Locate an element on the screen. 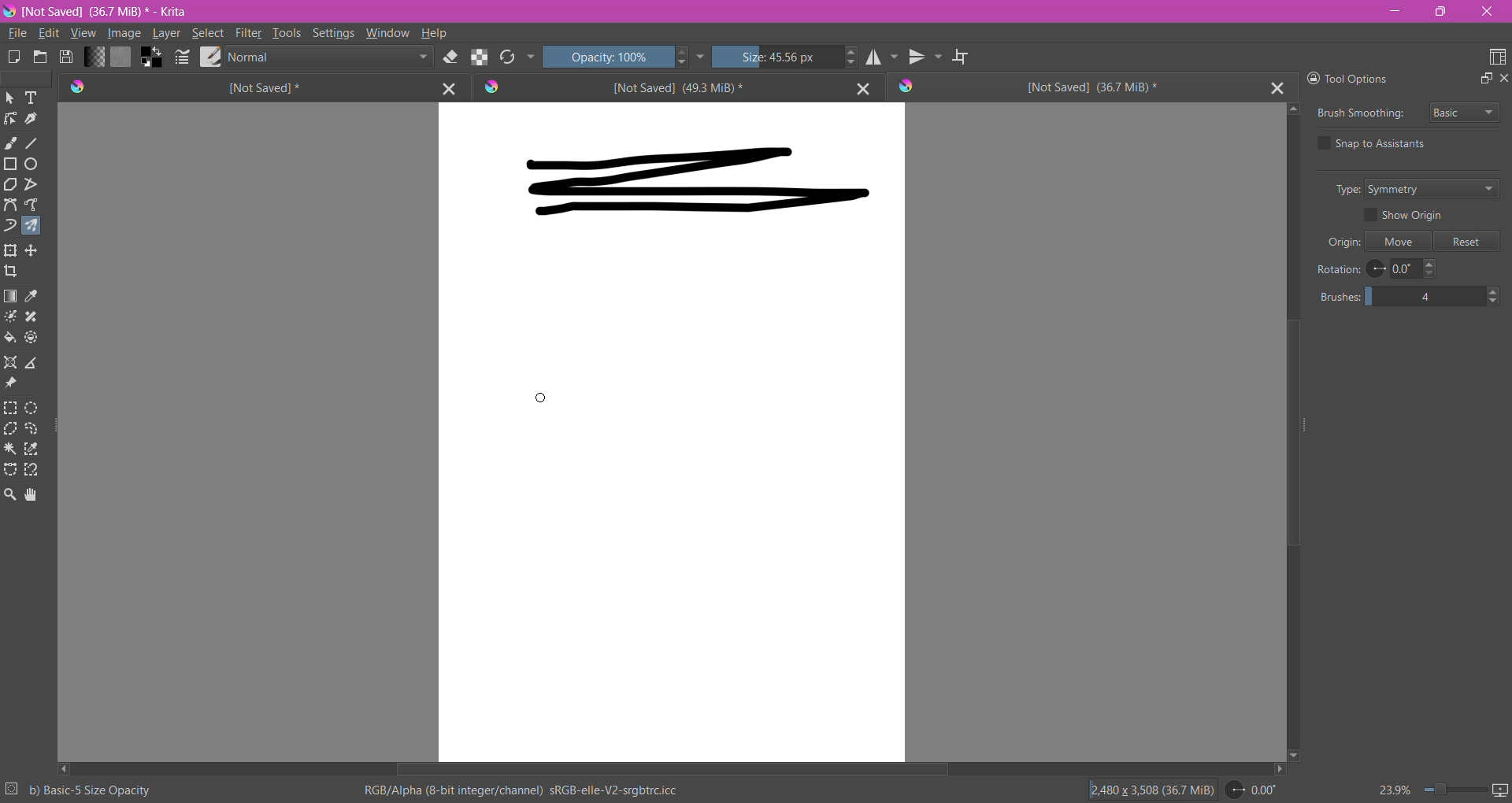 Image resolution: width=1512 pixels, height=803 pixels. Unsaved Document Tab3 is located at coordinates (1077, 87).